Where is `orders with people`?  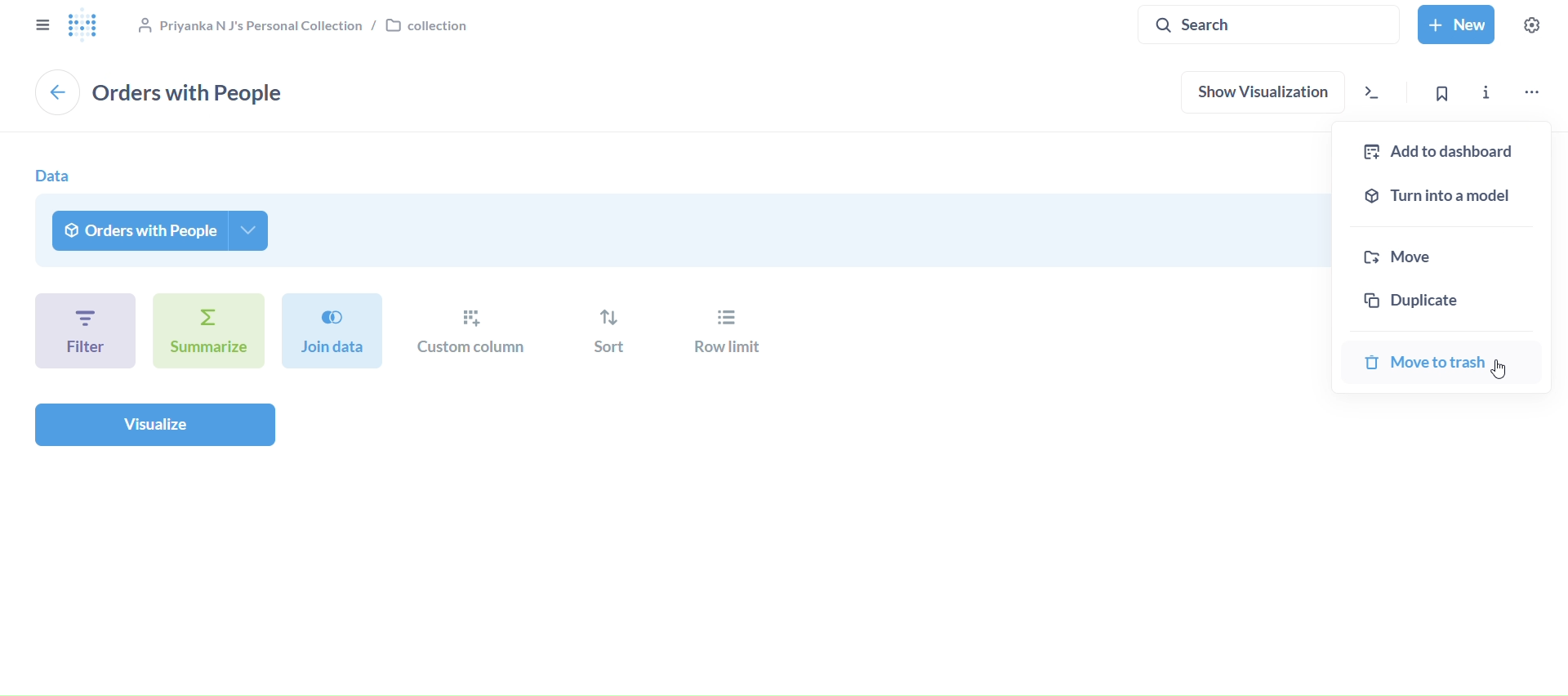
orders with people is located at coordinates (202, 92).